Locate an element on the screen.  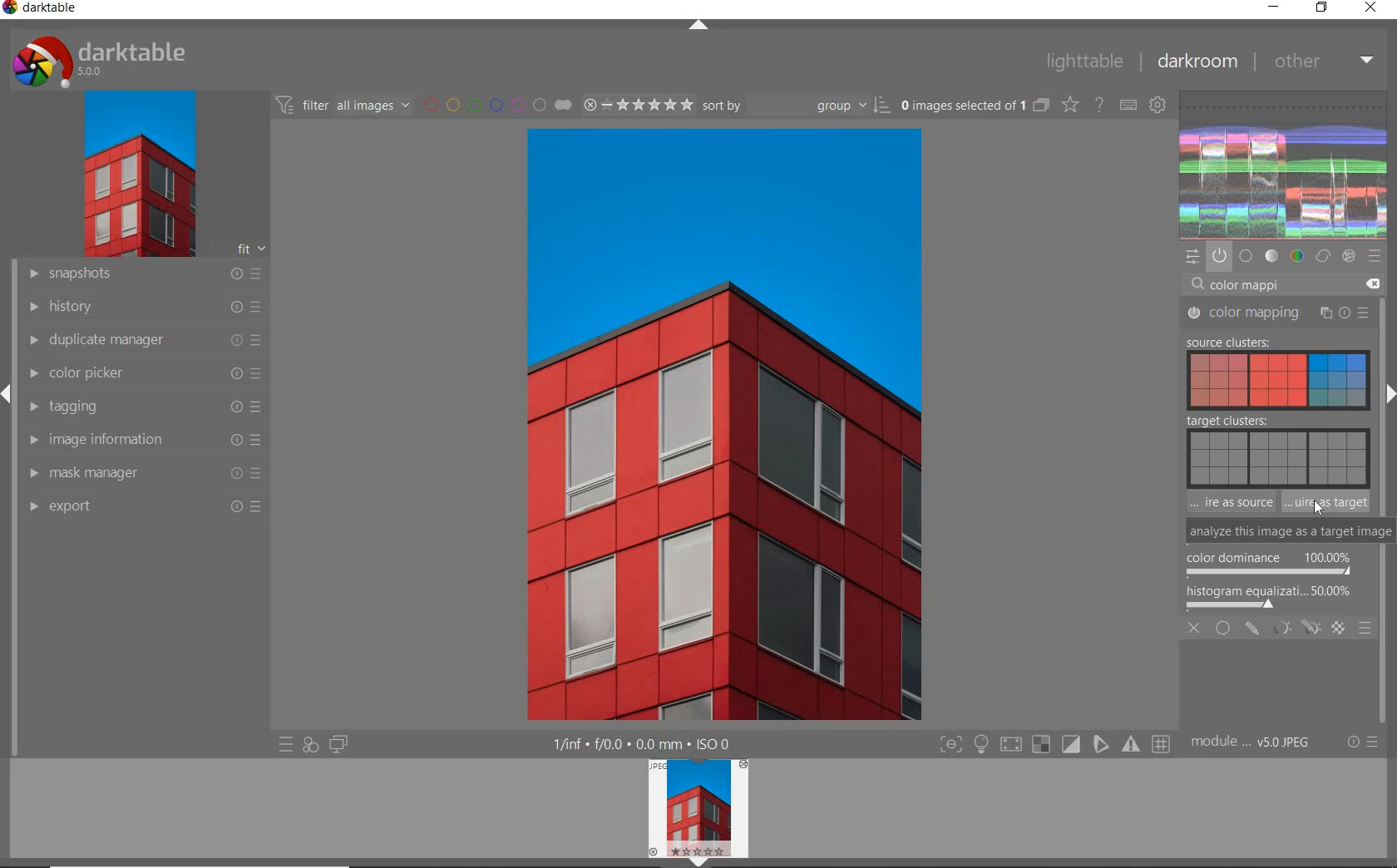
Image is located at coordinates (1254, 382).